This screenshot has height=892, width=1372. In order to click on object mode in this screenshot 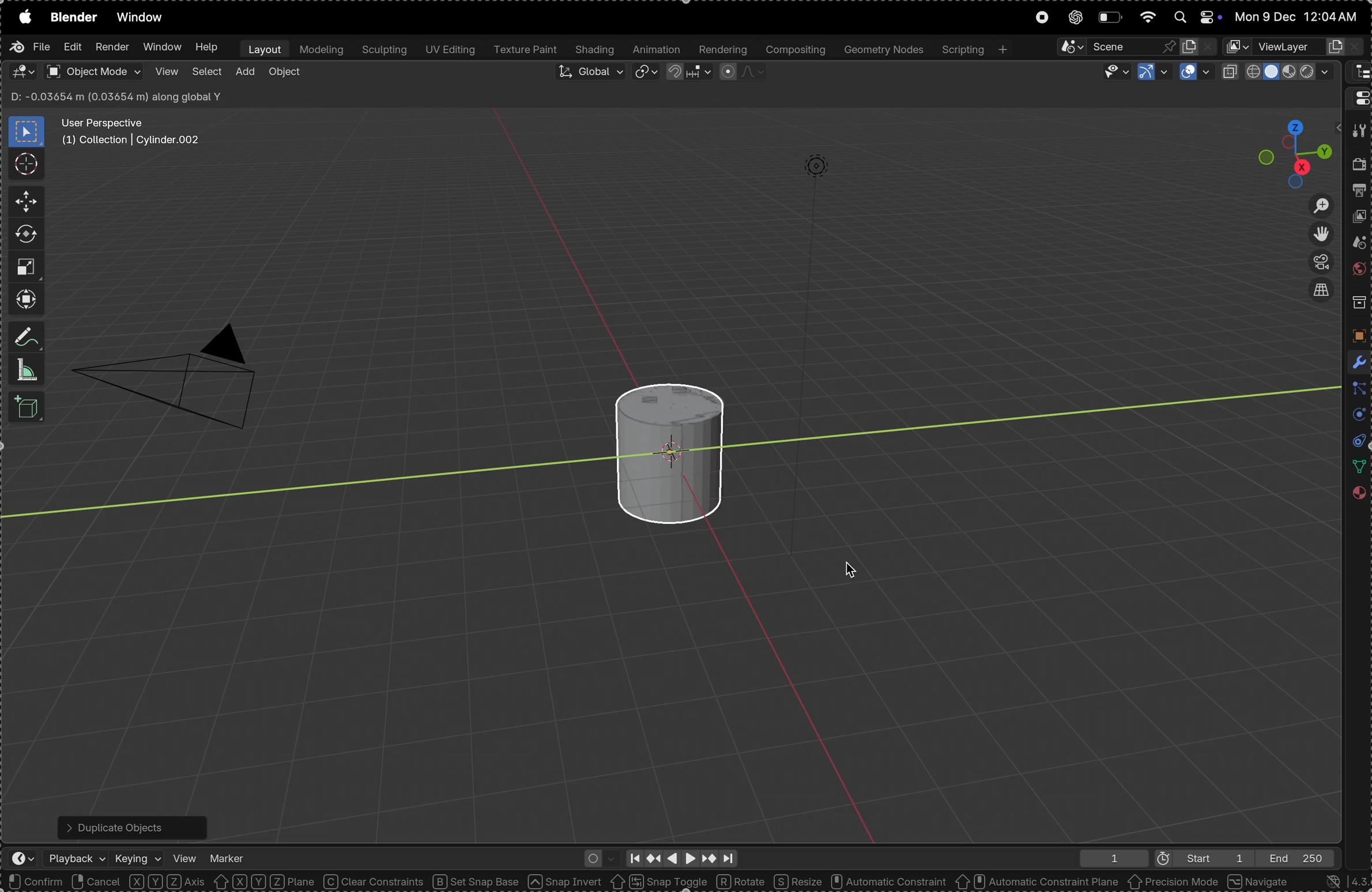, I will do `click(93, 71)`.